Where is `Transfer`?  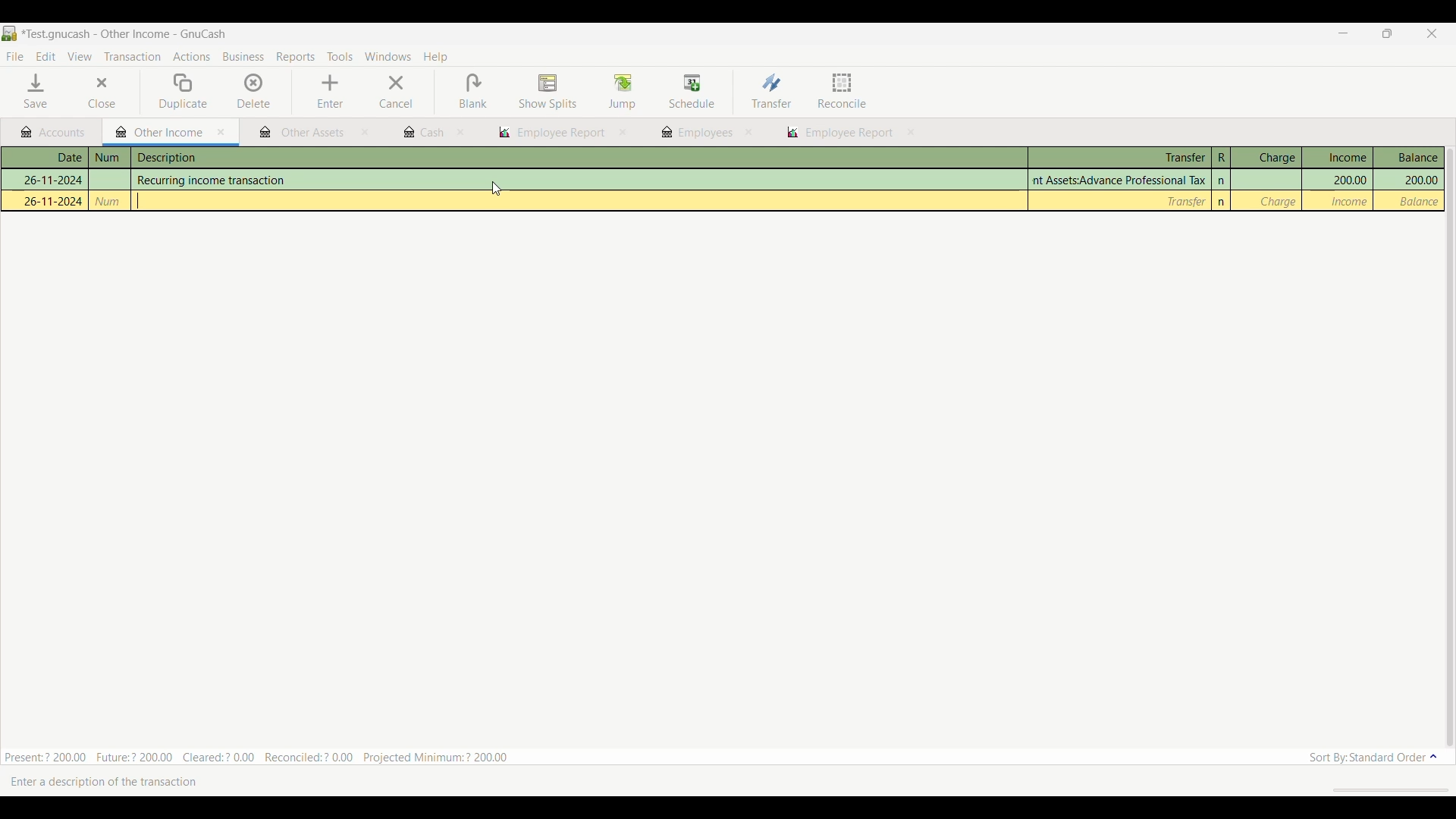 Transfer is located at coordinates (771, 90).